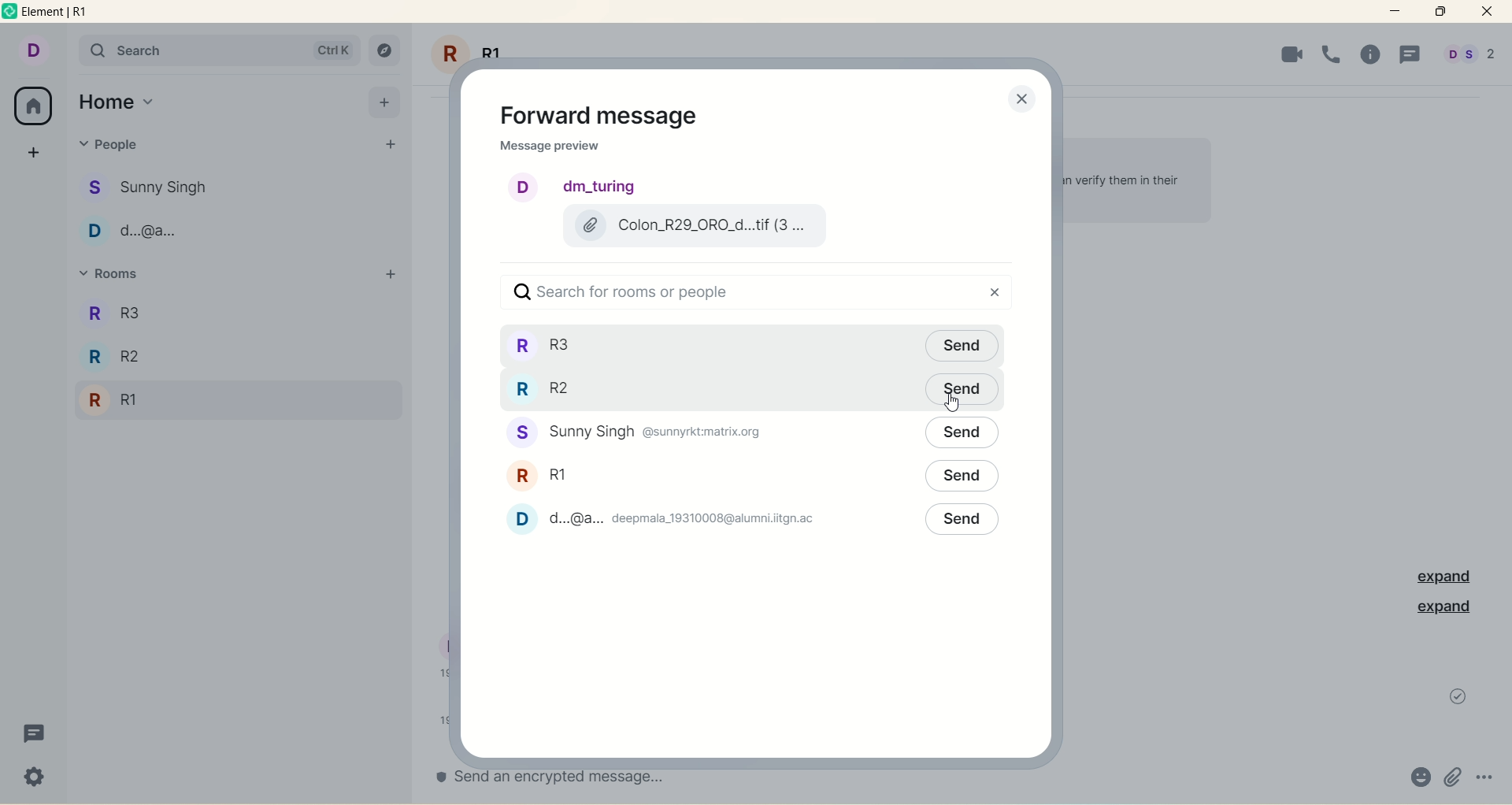 The height and width of the screenshot is (805, 1512). Describe the element at coordinates (552, 346) in the screenshot. I see `rooms` at that location.